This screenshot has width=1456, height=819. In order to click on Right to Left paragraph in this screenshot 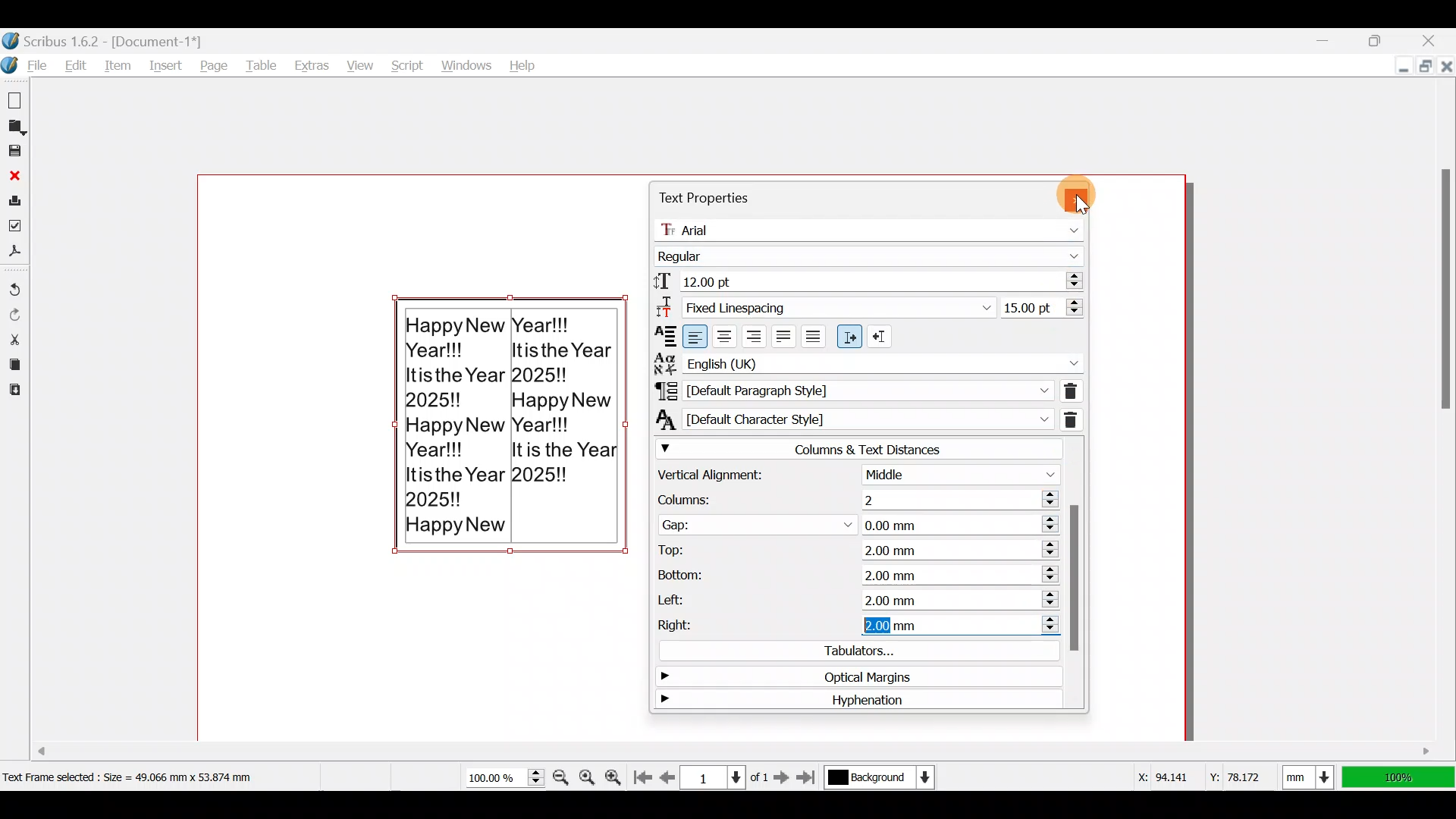, I will do `click(882, 333)`.